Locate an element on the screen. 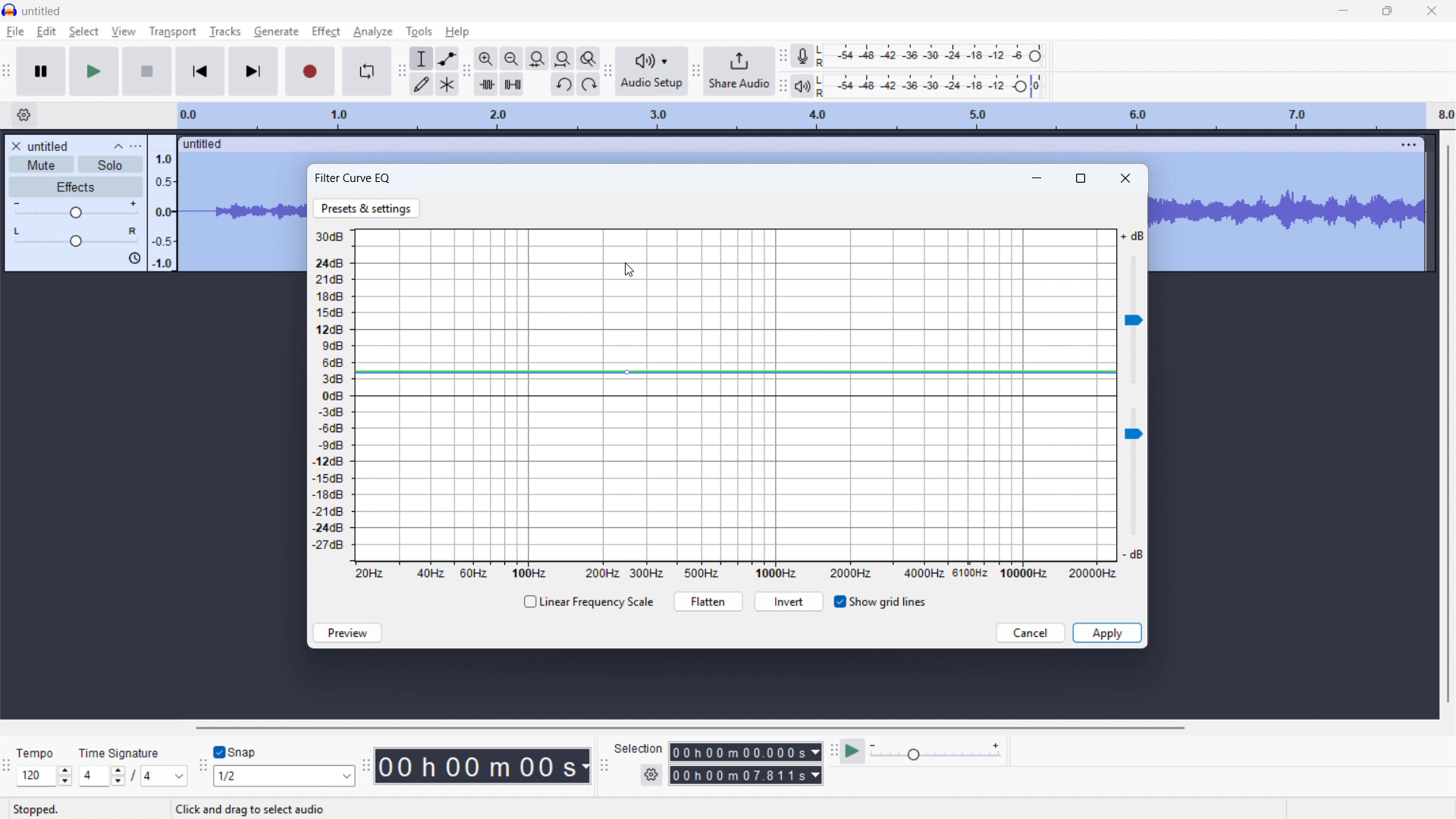 Image resolution: width=1456 pixels, height=819 pixels. Play at speed toolbar  is located at coordinates (831, 751).